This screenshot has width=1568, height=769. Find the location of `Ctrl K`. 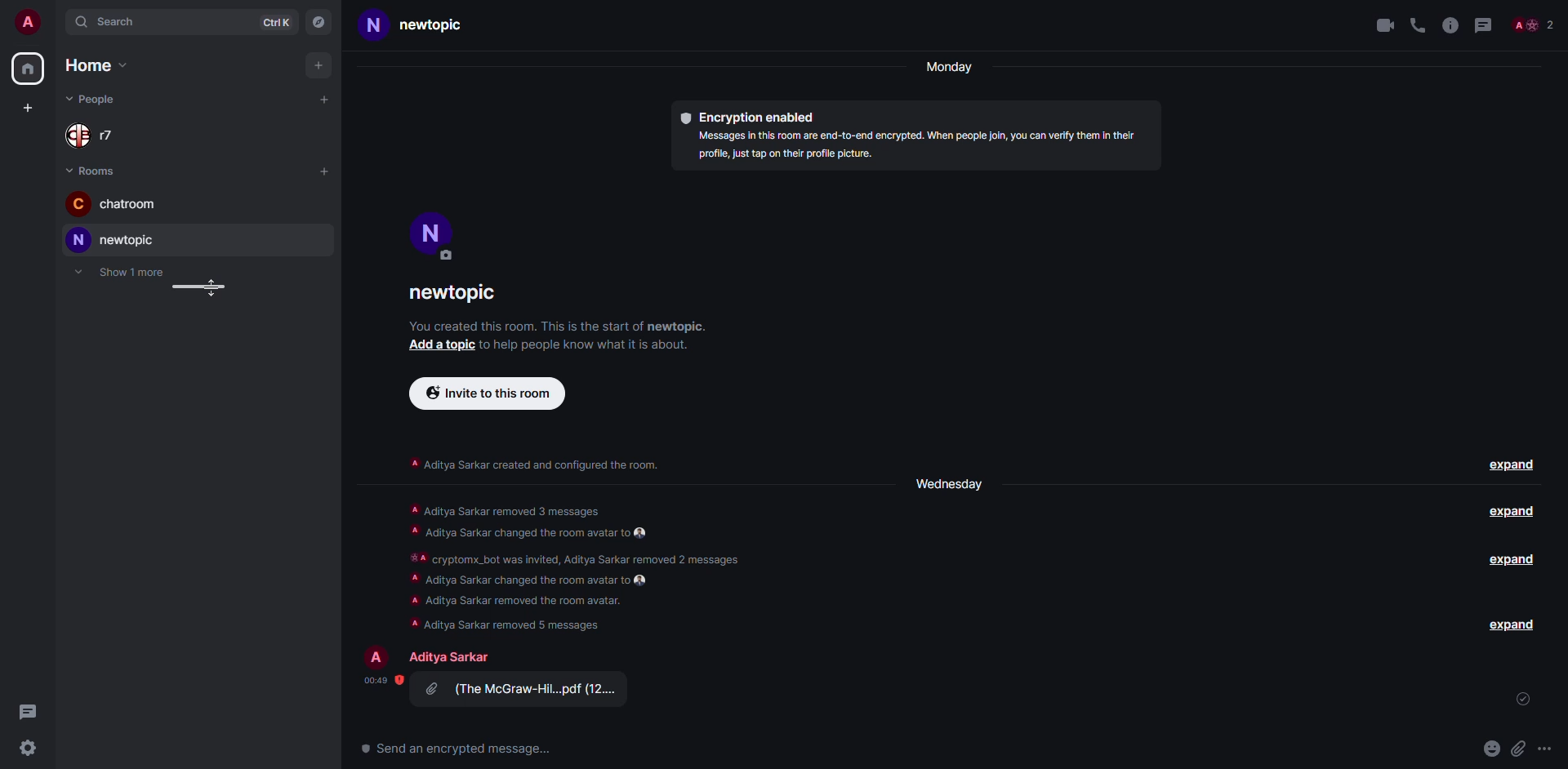

Ctrl K is located at coordinates (279, 22).